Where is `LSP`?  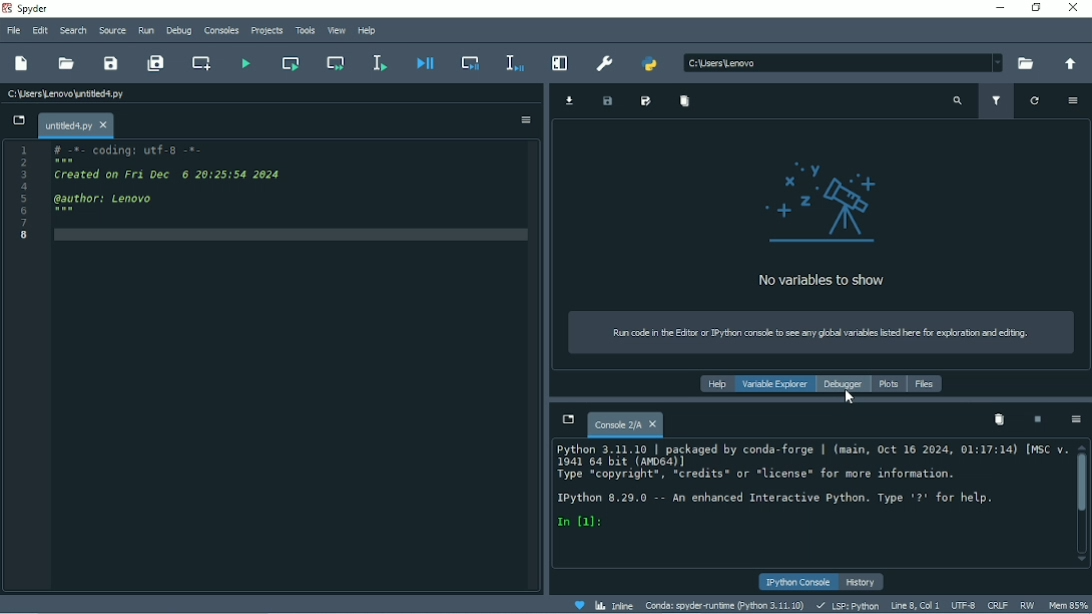 LSP is located at coordinates (847, 605).